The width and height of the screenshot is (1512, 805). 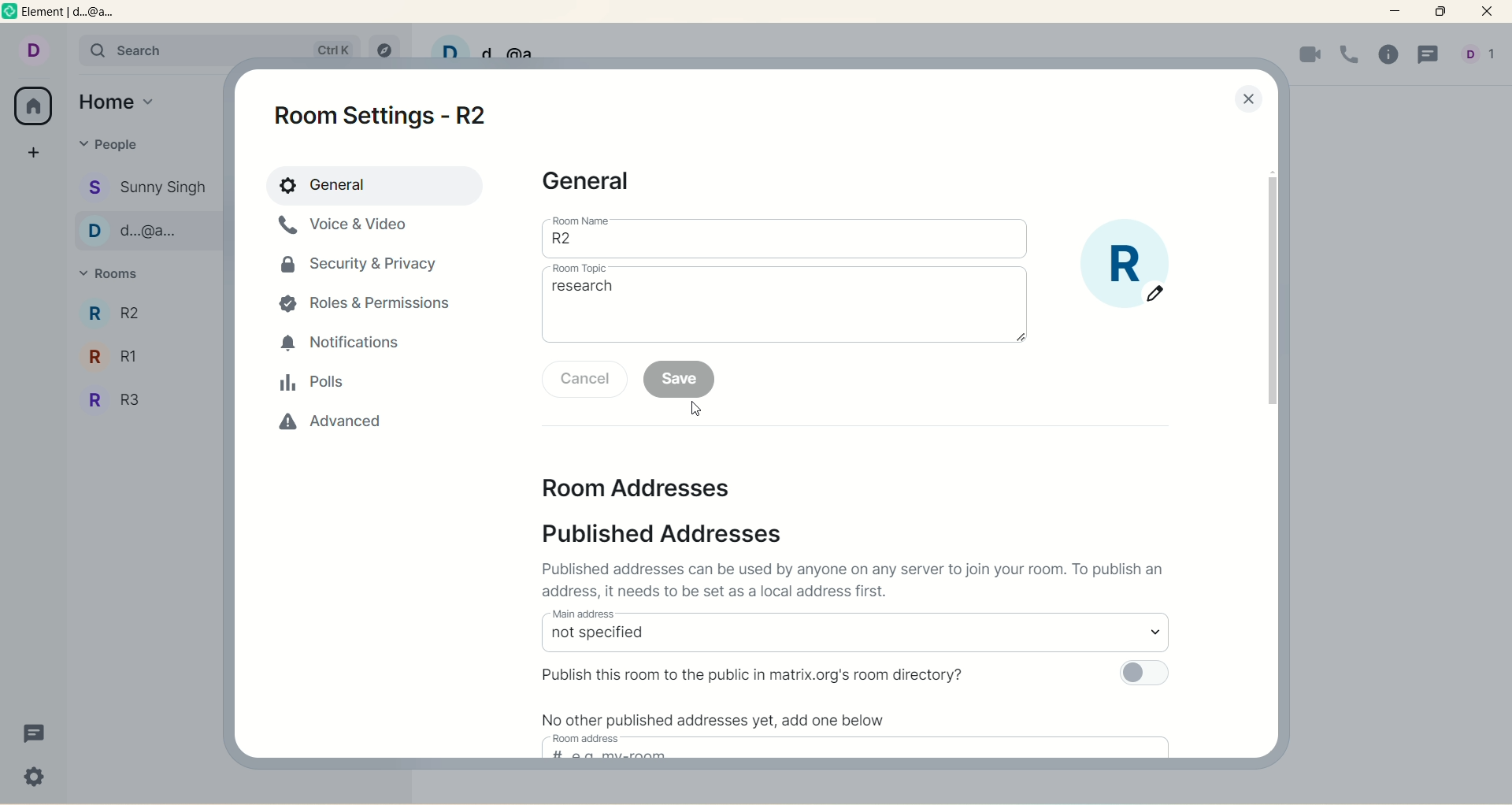 What do you see at coordinates (35, 779) in the screenshot?
I see `settings` at bounding box center [35, 779].